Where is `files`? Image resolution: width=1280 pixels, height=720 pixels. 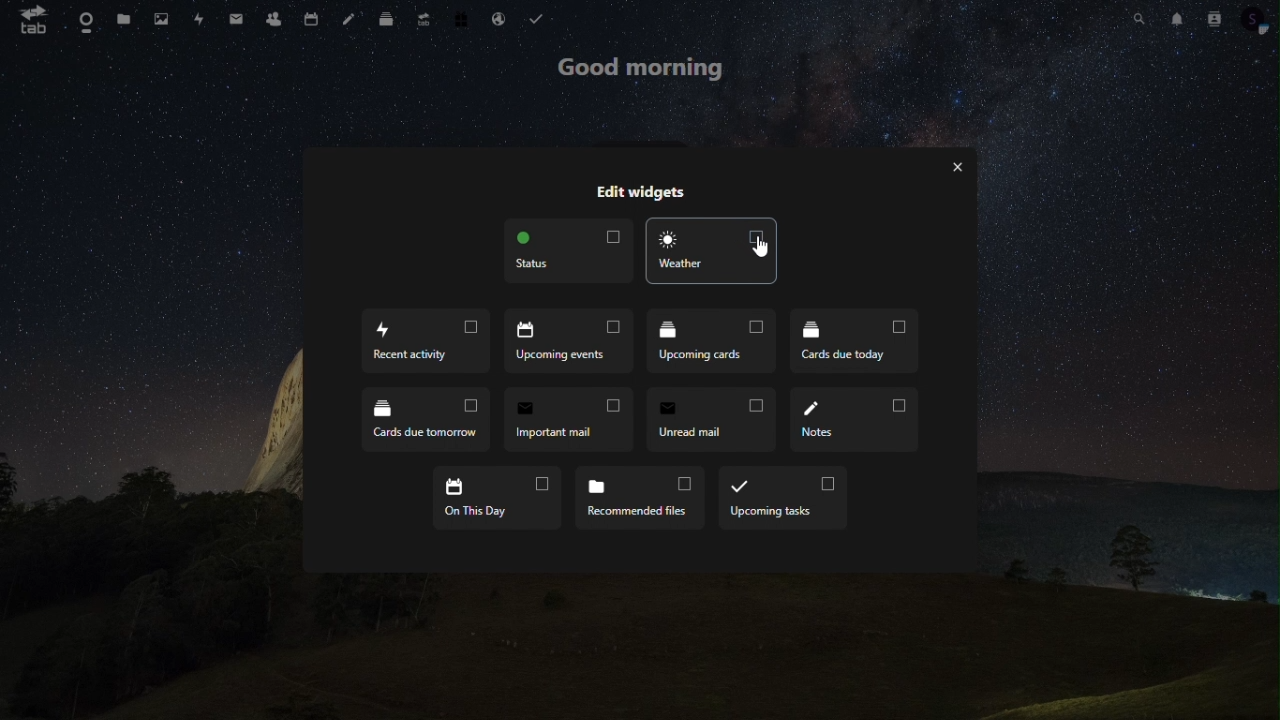
files is located at coordinates (124, 18).